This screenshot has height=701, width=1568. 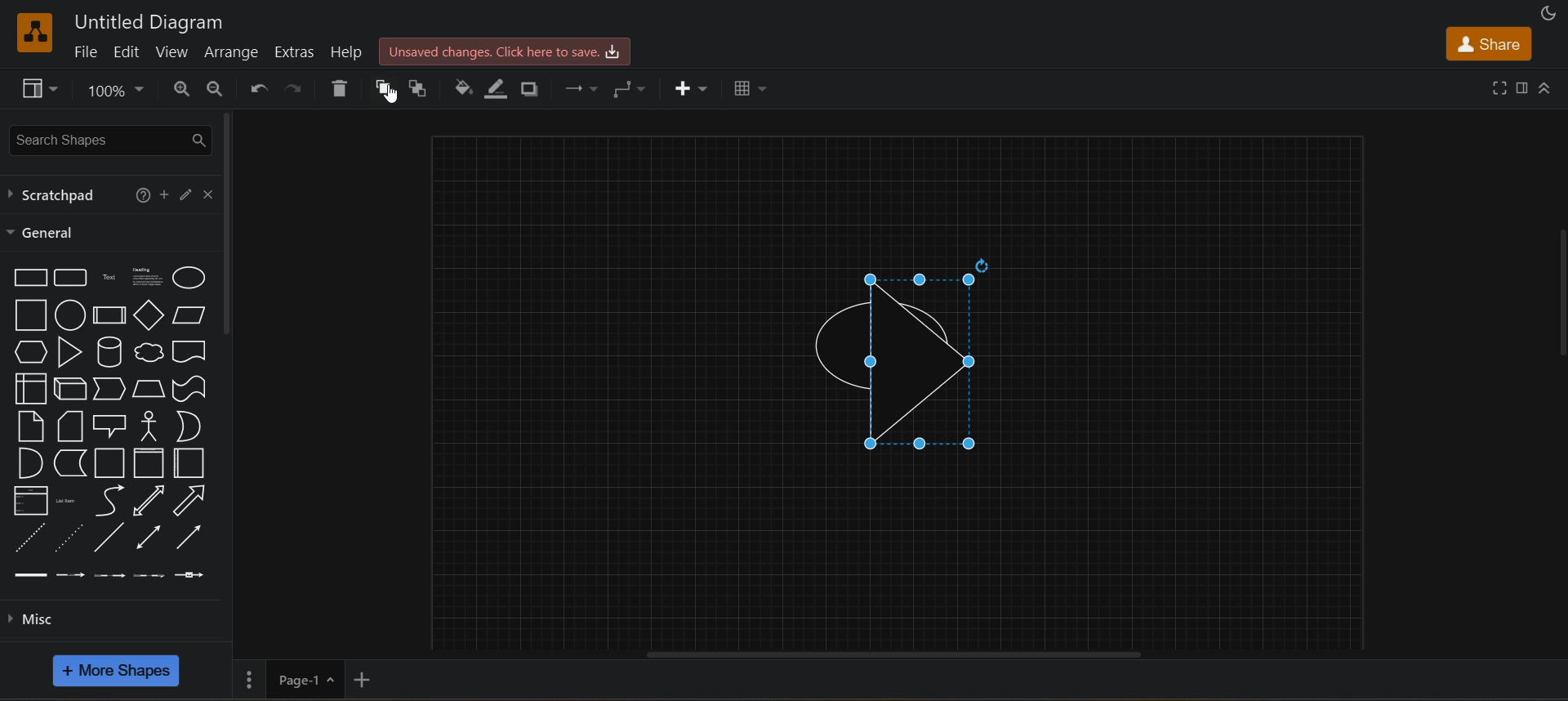 What do you see at coordinates (71, 389) in the screenshot?
I see `cube` at bounding box center [71, 389].